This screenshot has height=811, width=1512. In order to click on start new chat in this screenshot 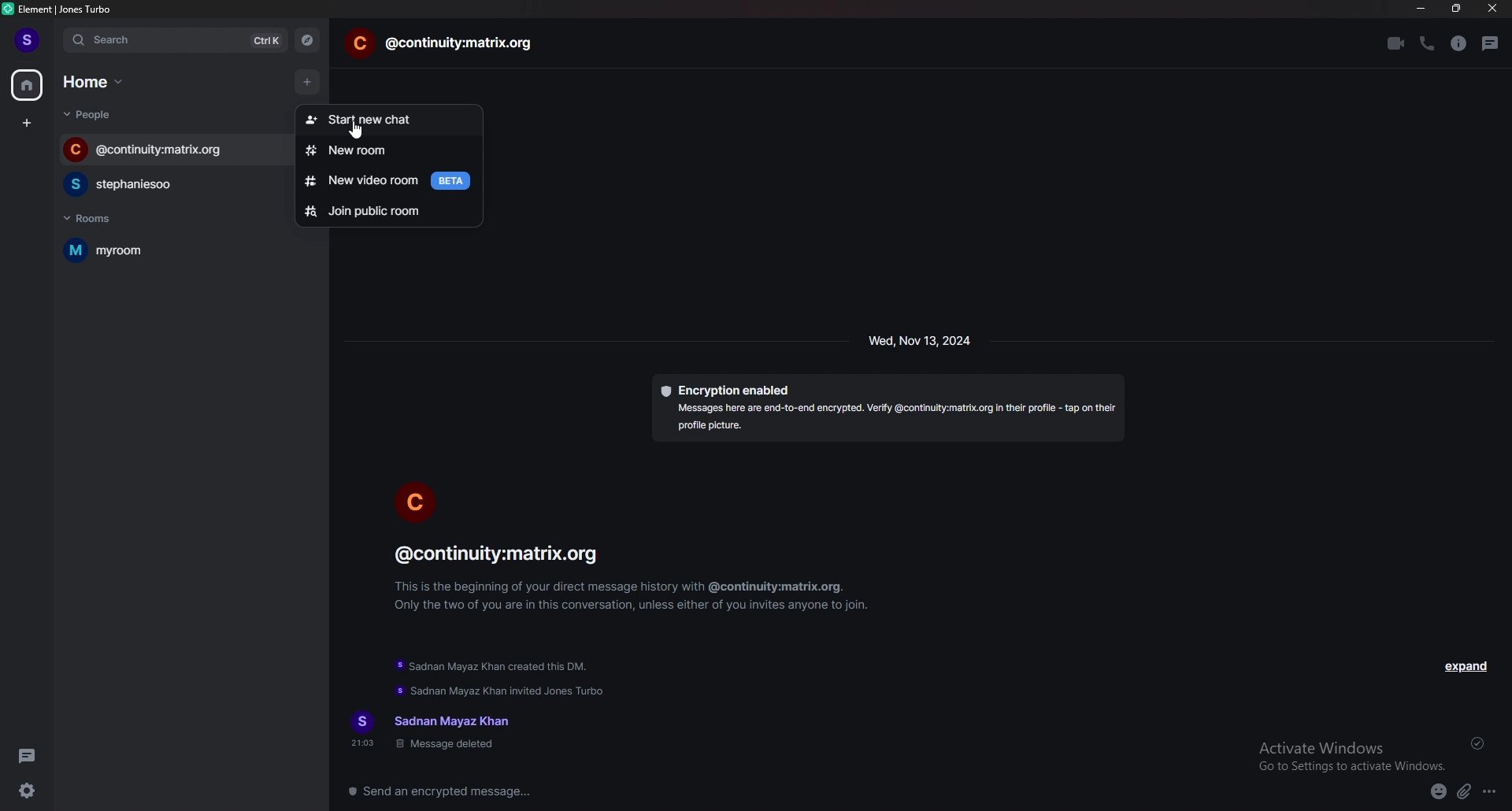, I will do `click(386, 116)`.